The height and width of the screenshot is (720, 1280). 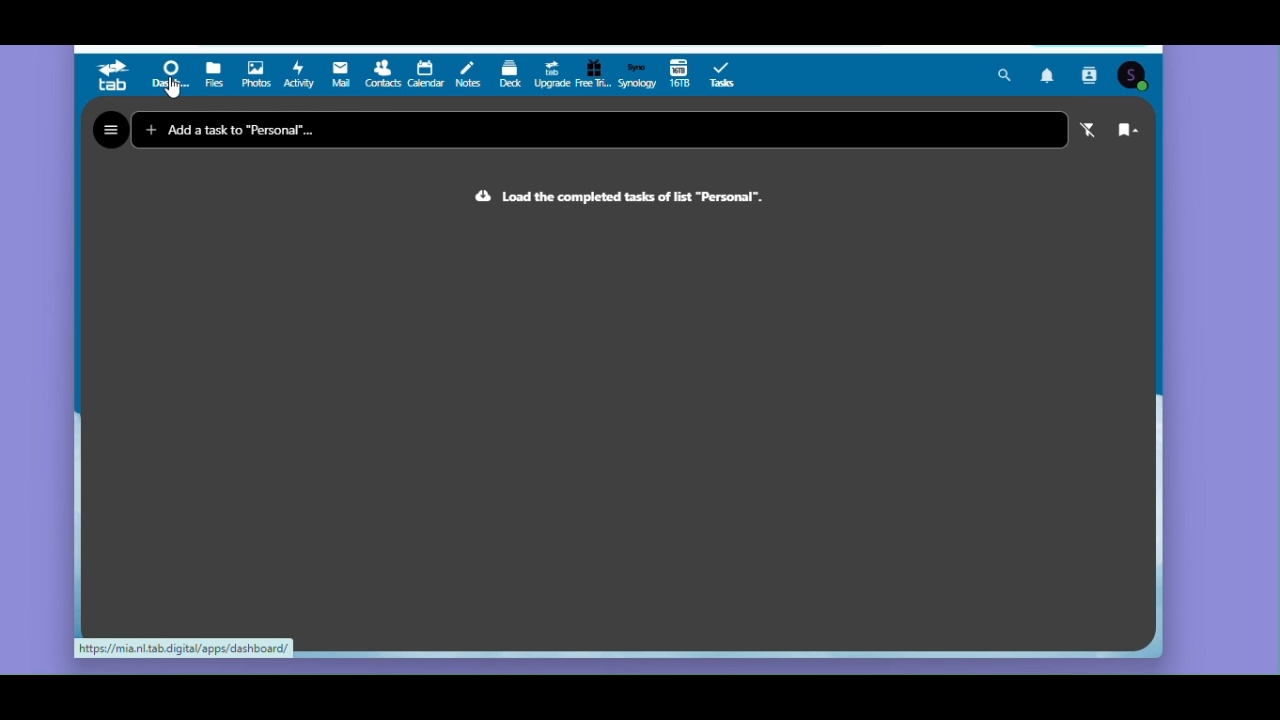 What do you see at coordinates (1135, 75) in the screenshot?
I see `Account icon` at bounding box center [1135, 75].